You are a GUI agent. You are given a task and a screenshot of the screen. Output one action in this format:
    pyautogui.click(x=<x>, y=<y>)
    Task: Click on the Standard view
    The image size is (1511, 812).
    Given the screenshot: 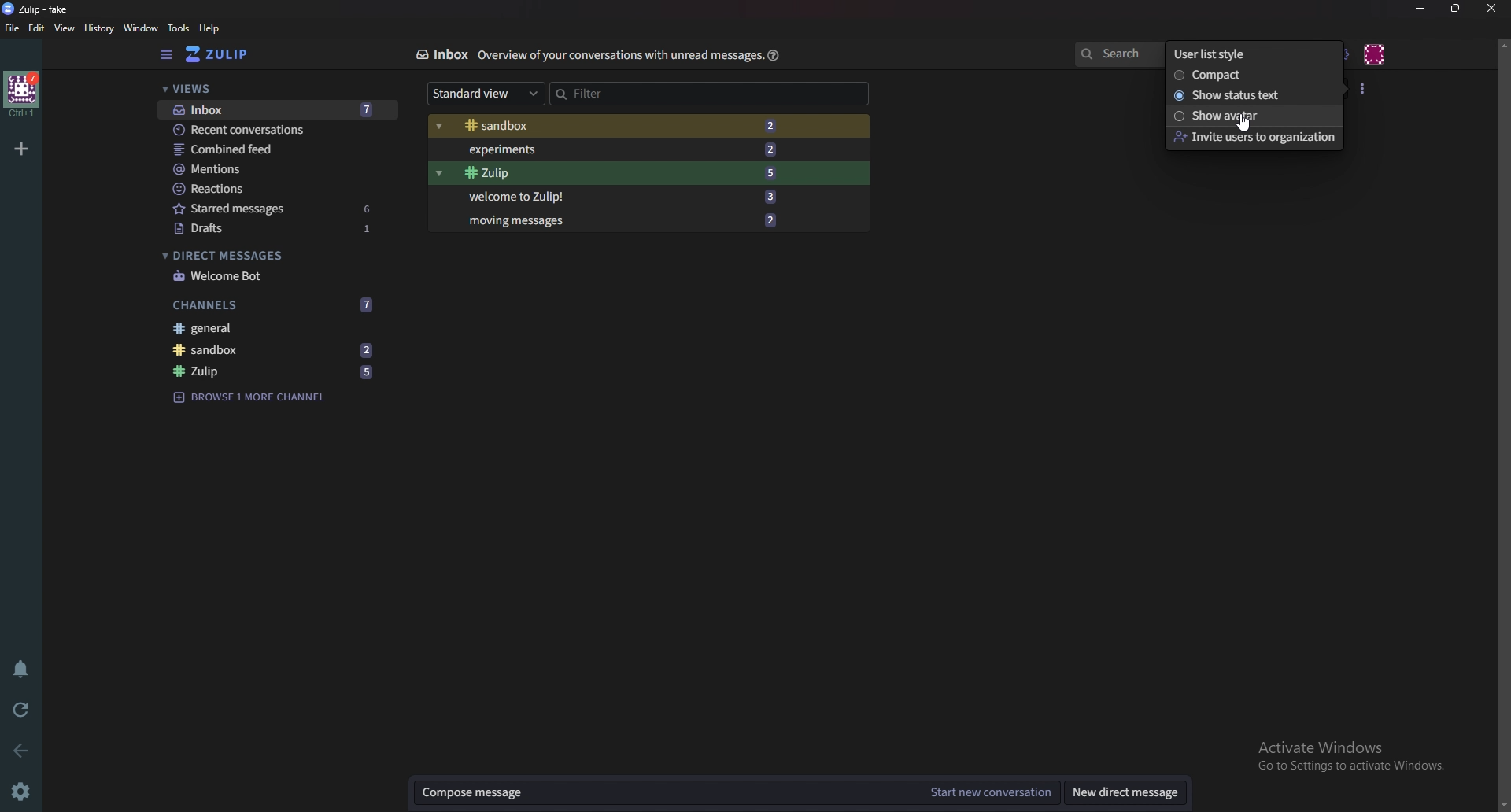 What is the action you would take?
    pyautogui.click(x=487, y=94)
    